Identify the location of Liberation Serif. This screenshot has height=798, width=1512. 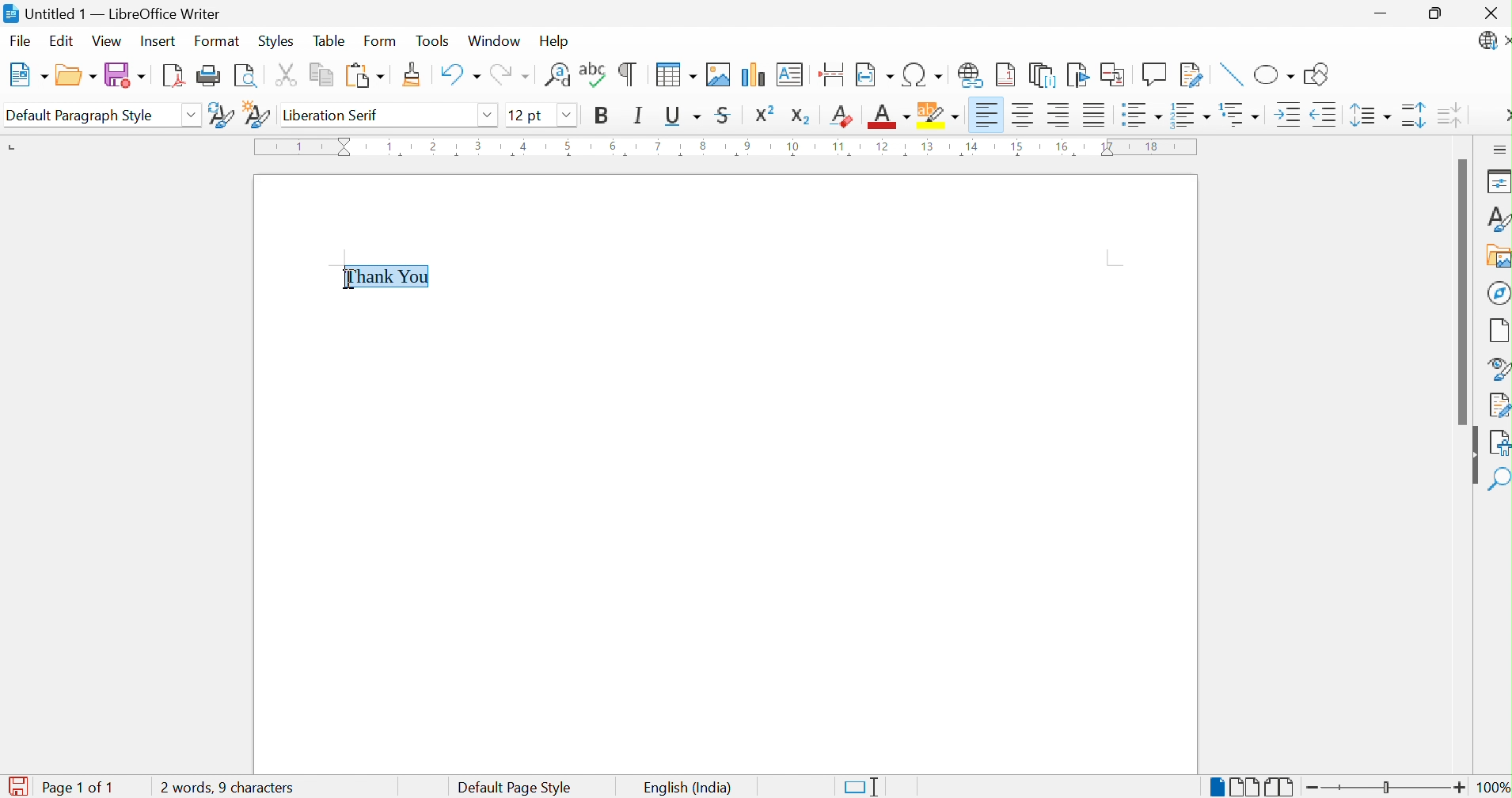
(330, 115).